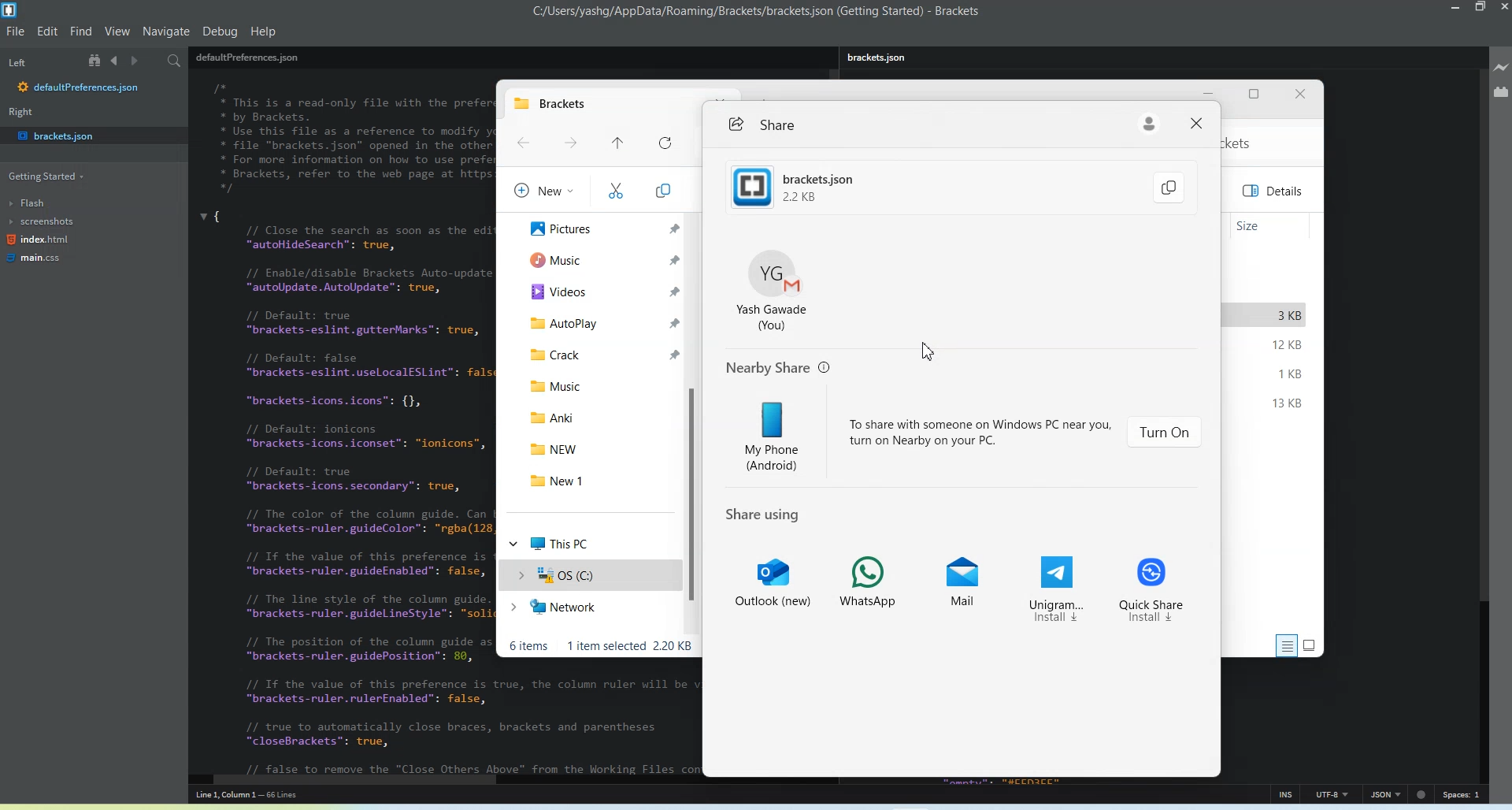 The width and height of the screenshot is (1512, 810). Describe the element at coordinates (590, 541) in the screenshot. I see `This PC` at that location.